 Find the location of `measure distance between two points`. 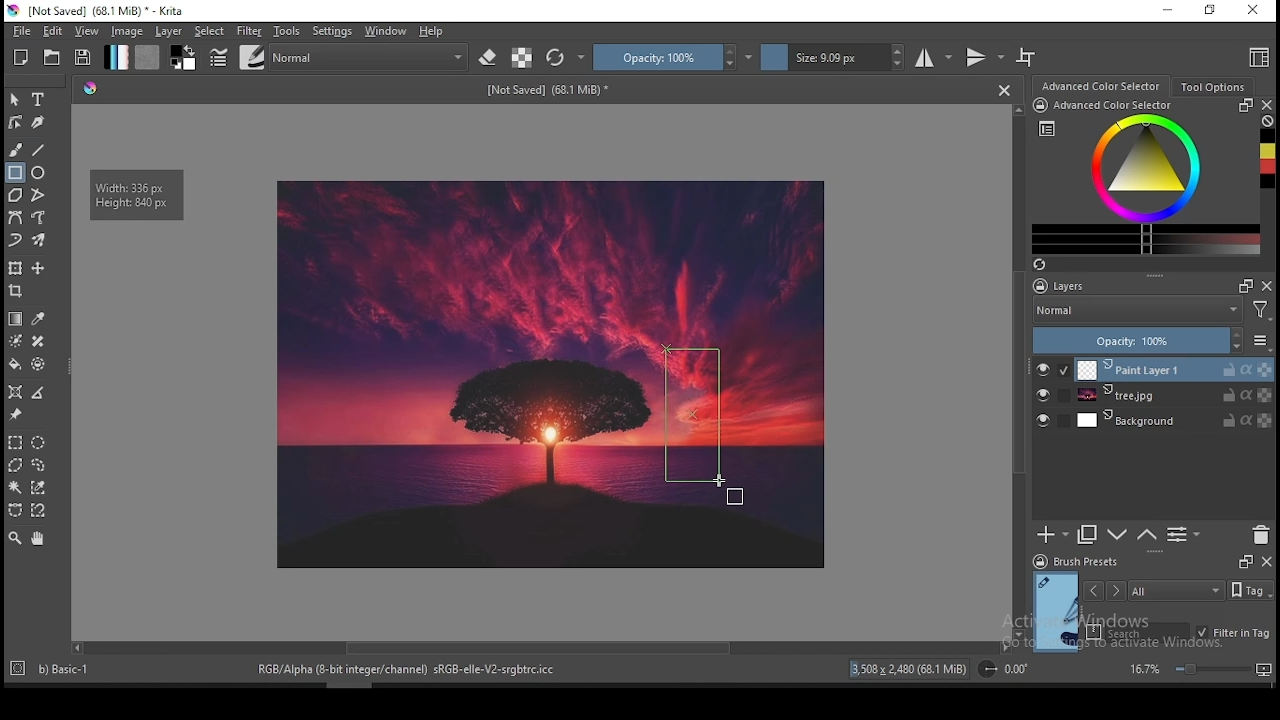

measure distance between two points is located at coordinates (40, 393).